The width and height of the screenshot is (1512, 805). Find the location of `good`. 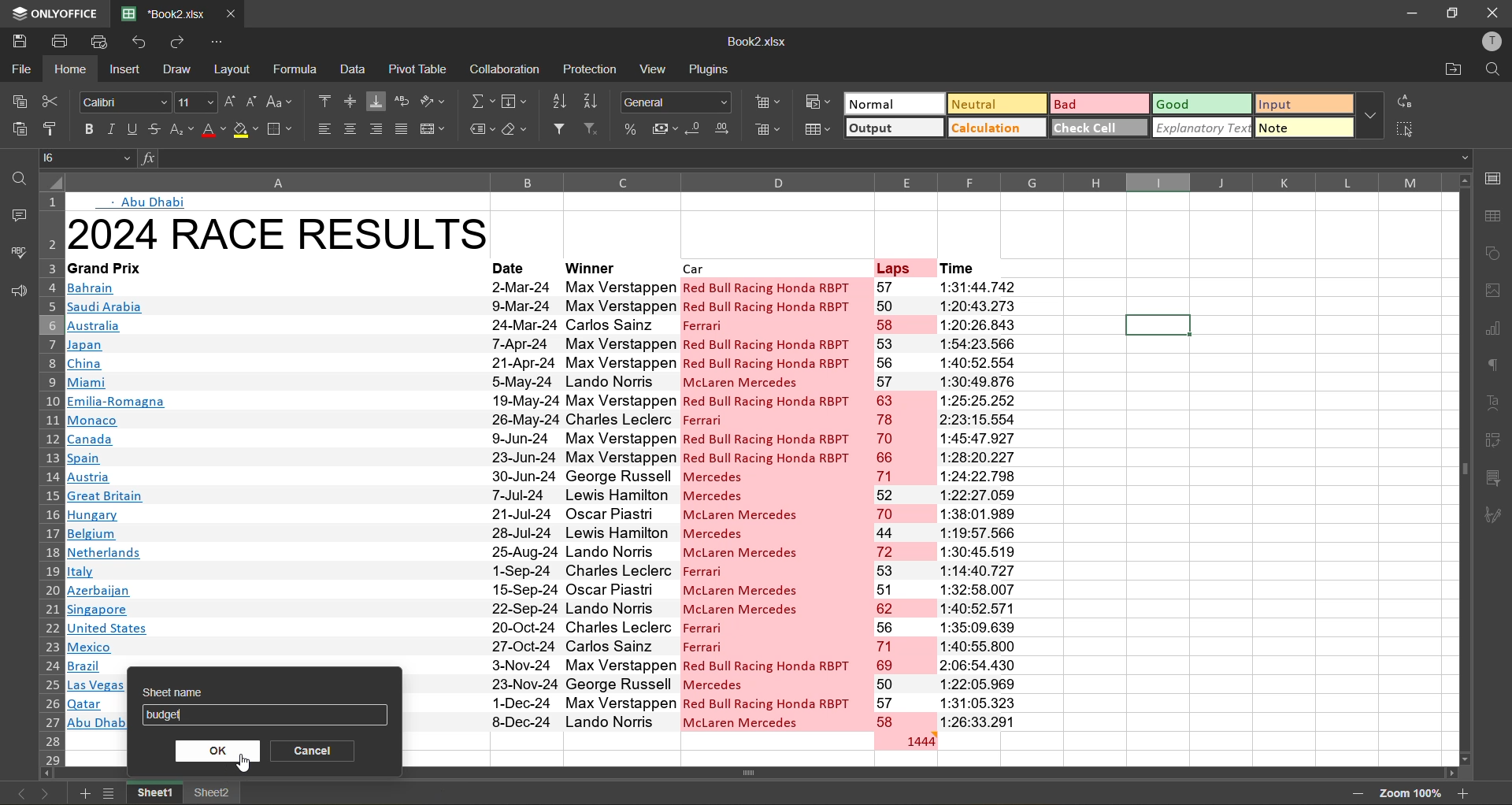

good is located at coordinates (1200, 106).